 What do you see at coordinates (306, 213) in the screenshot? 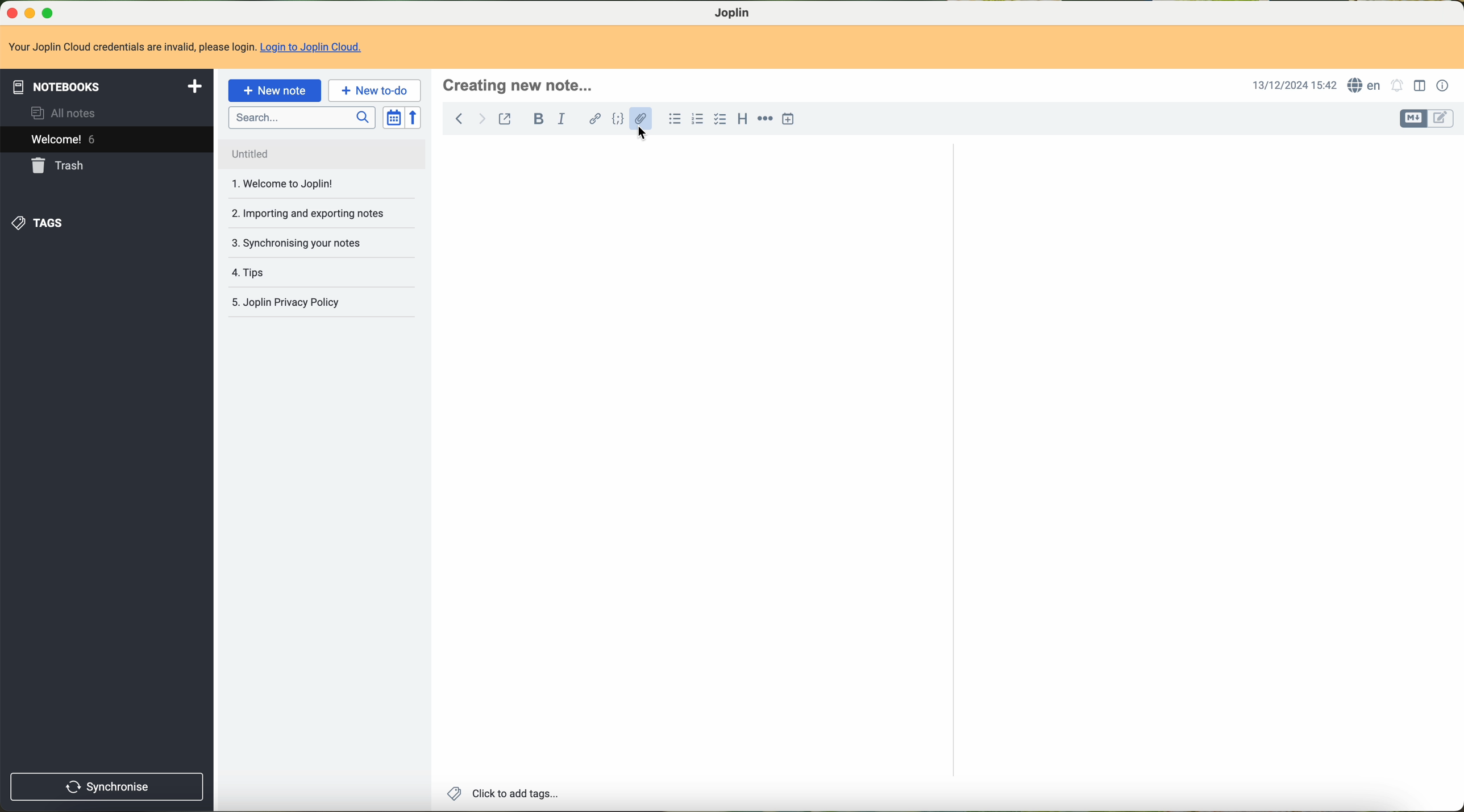
I see `importing and exporting notes` at bounding box center [306, 213].